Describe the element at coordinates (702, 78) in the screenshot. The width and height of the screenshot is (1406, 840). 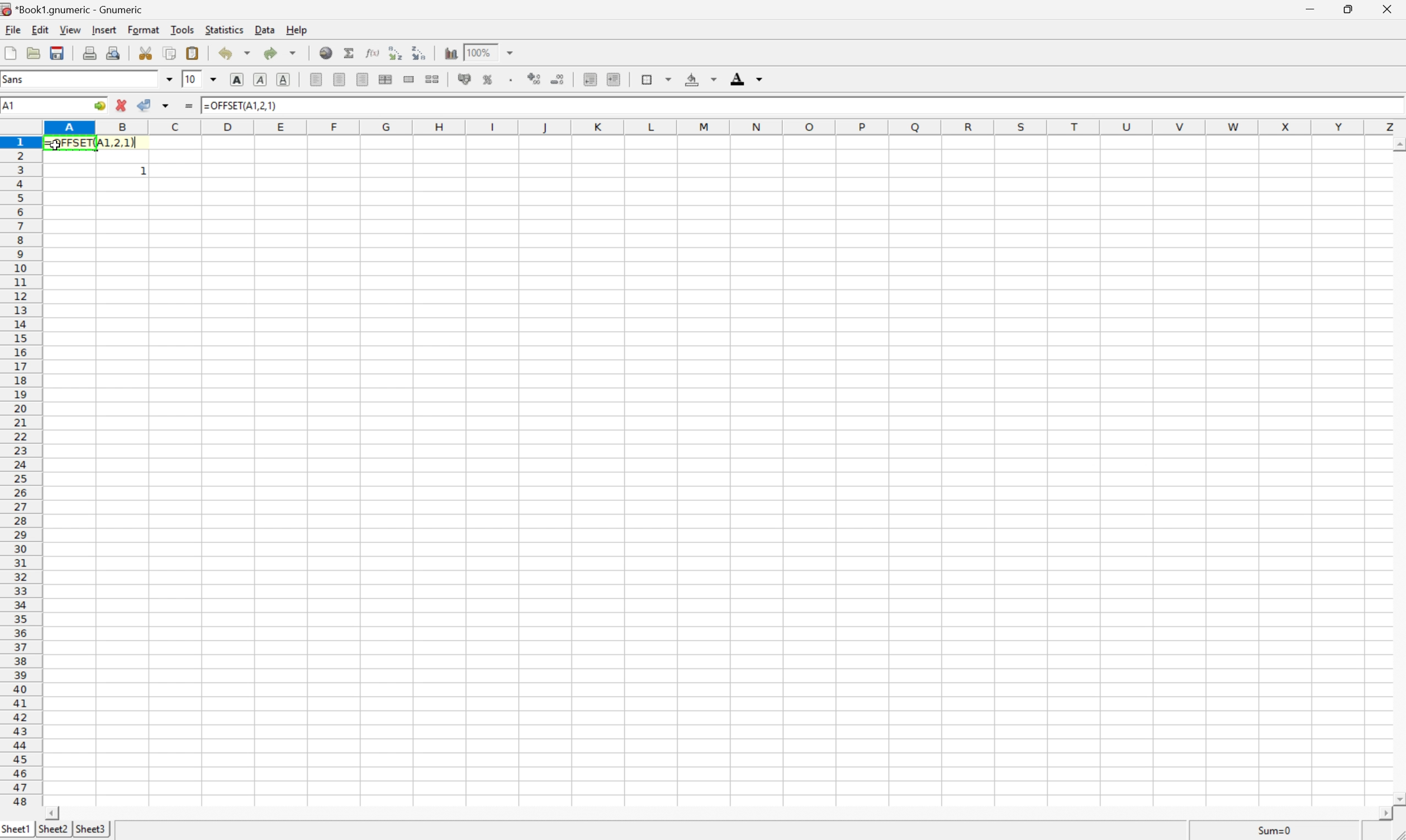
I see `background` at that location.